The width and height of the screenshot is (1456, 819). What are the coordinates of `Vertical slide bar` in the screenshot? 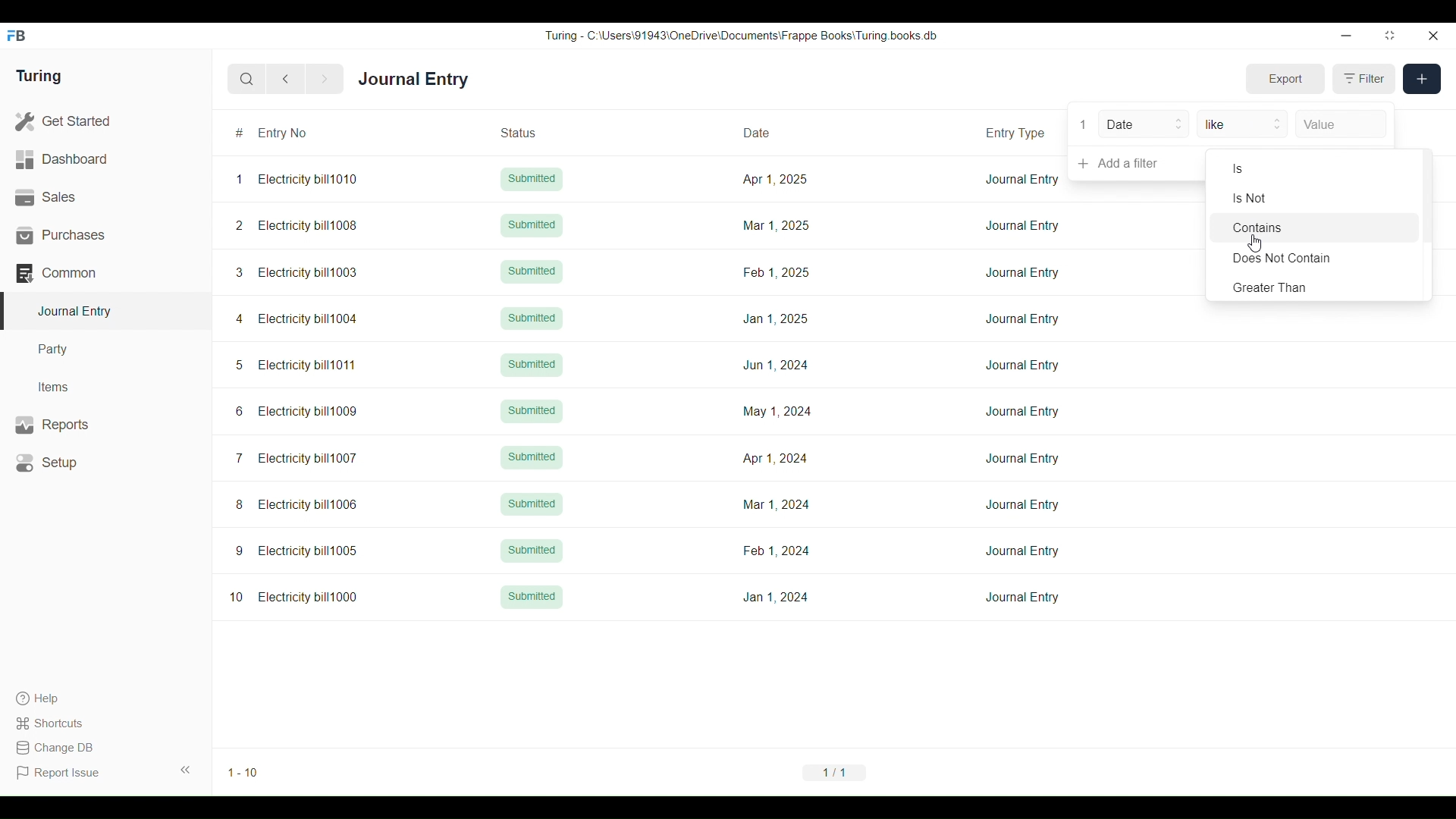 It's located at (1427, 224).